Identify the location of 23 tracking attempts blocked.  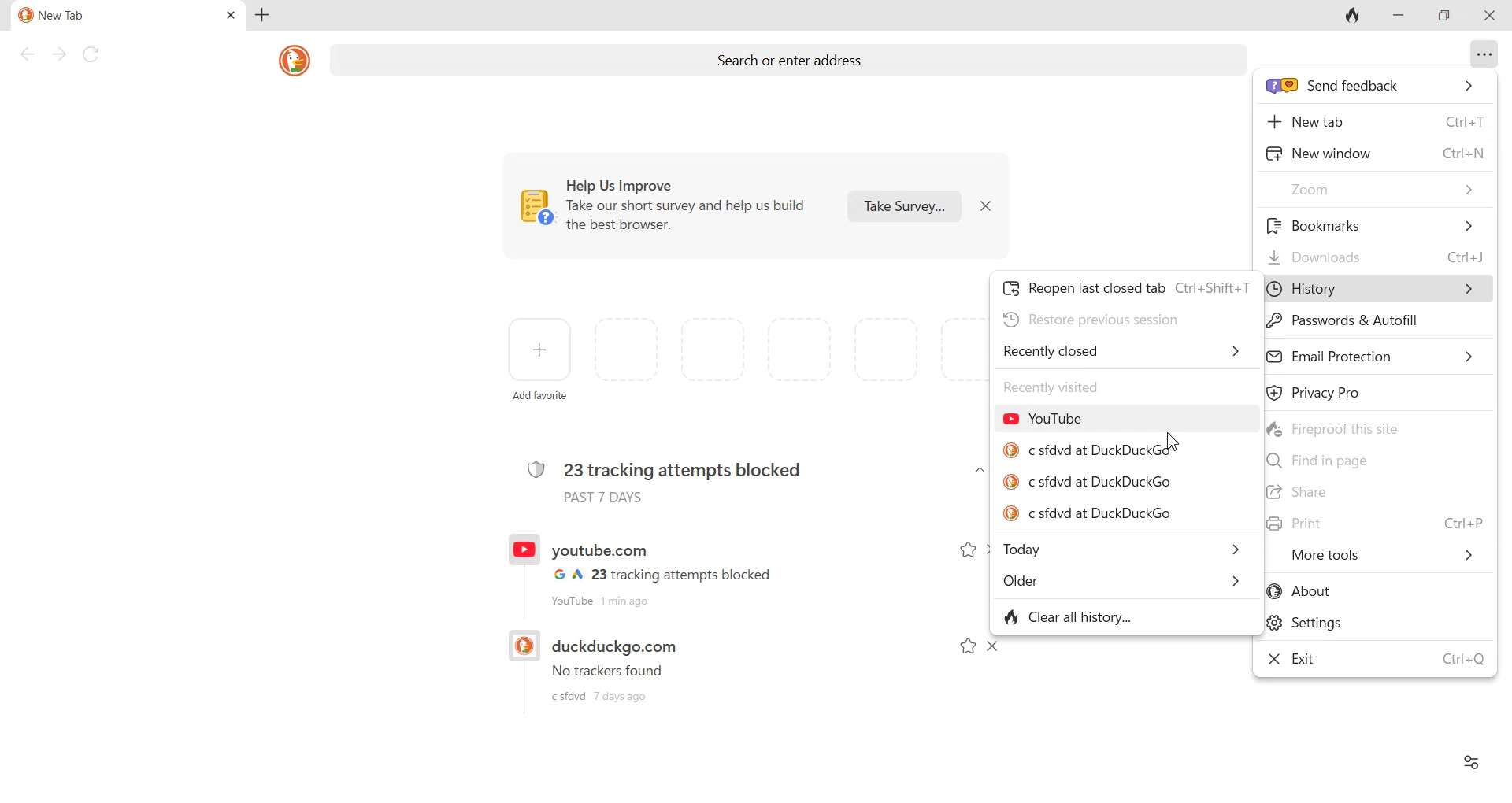
(665, 478).